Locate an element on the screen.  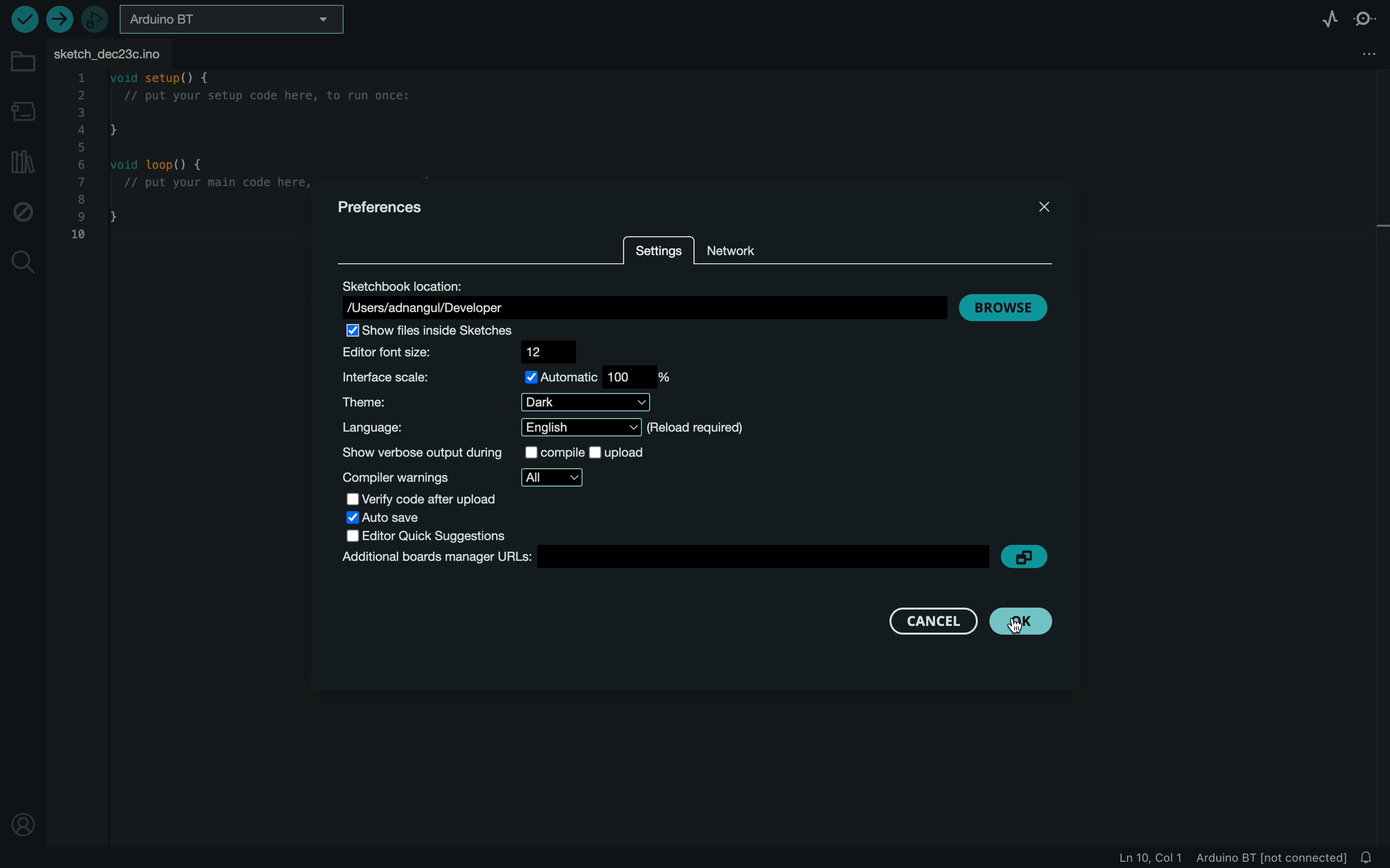
scale is located at coordinates (510, 377).